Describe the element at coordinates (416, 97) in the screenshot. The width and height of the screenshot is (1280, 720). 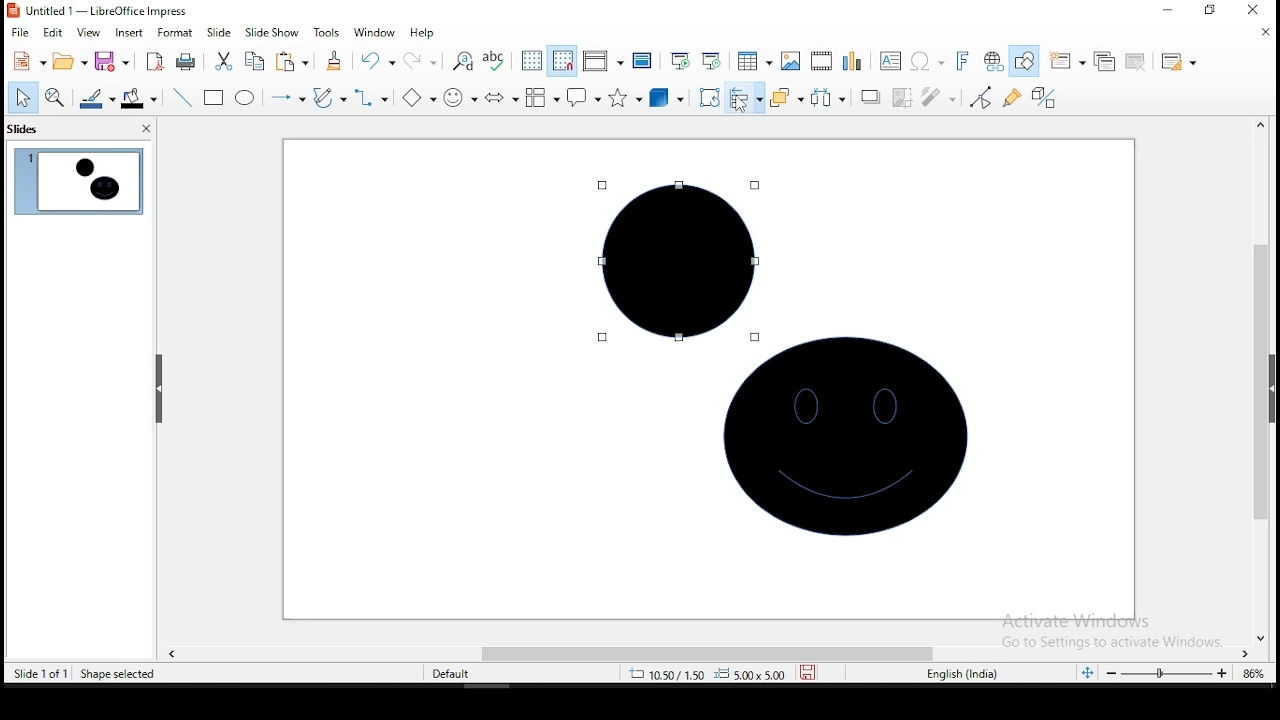
I see `basic shapes` at that location.